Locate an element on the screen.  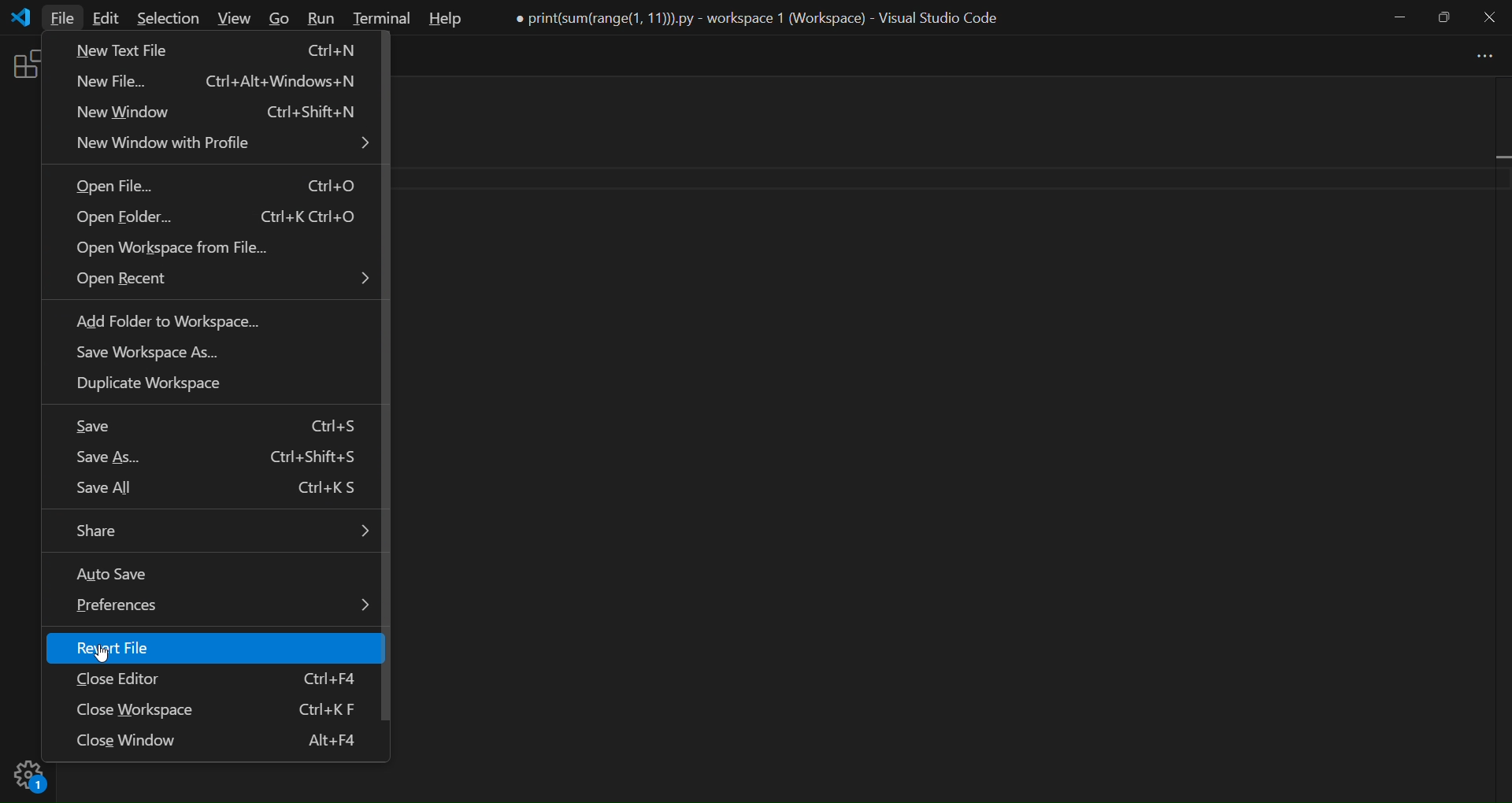
add folder to workspace is located at coordinates (167, 324).